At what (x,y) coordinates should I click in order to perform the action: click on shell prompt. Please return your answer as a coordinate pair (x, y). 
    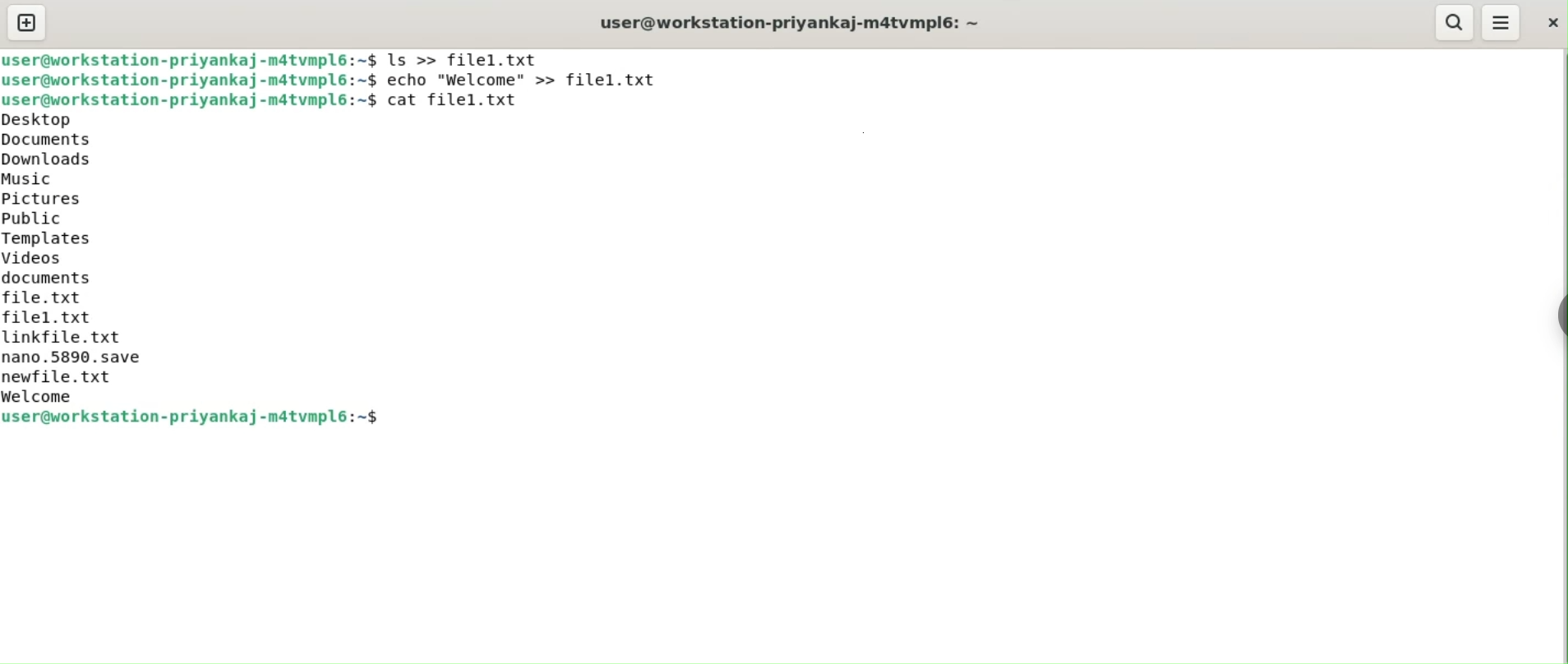
    Looking at the image, I should click on (191, 81).